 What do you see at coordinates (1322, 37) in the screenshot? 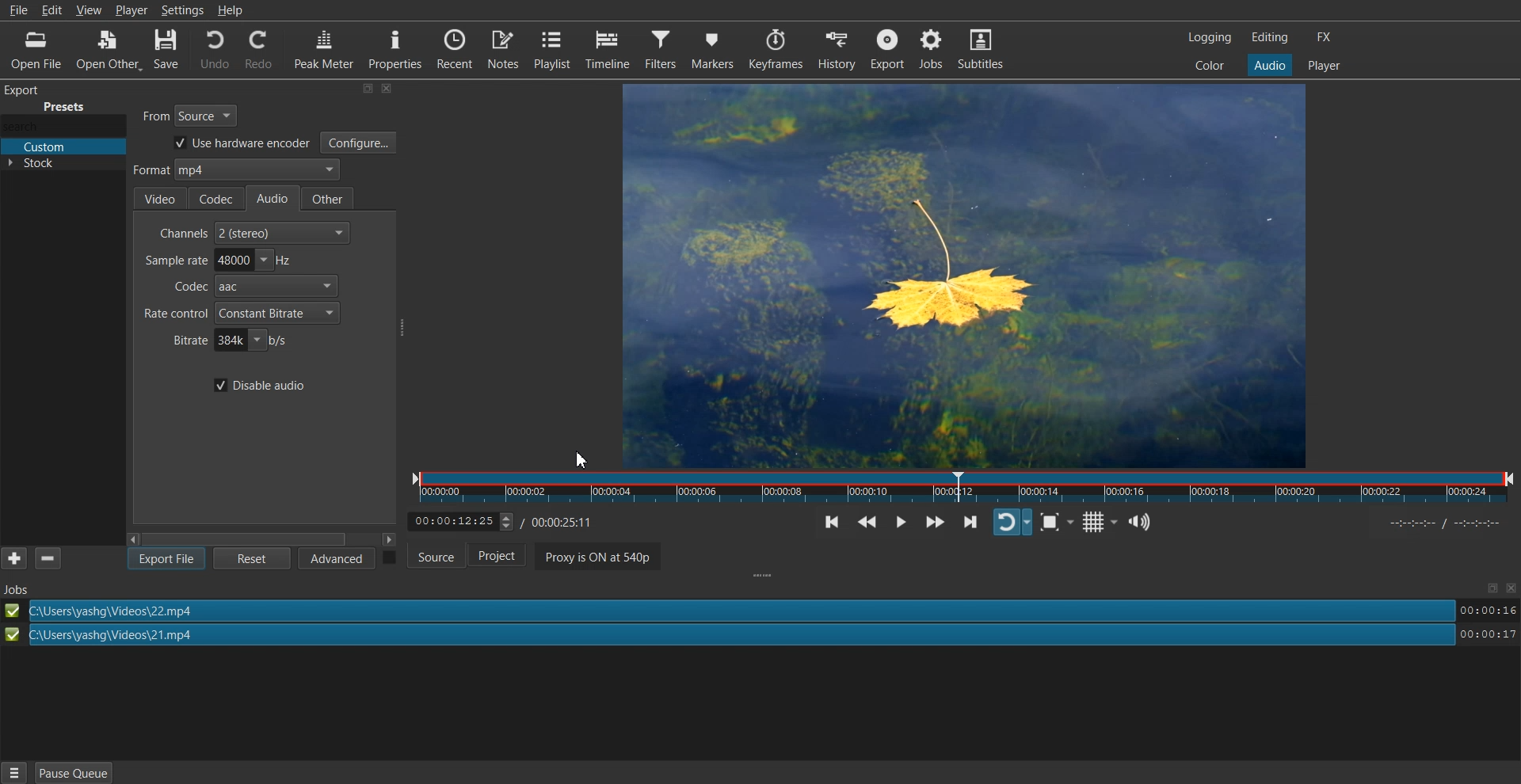
I see `FX` at bounding box center [1322, 37].